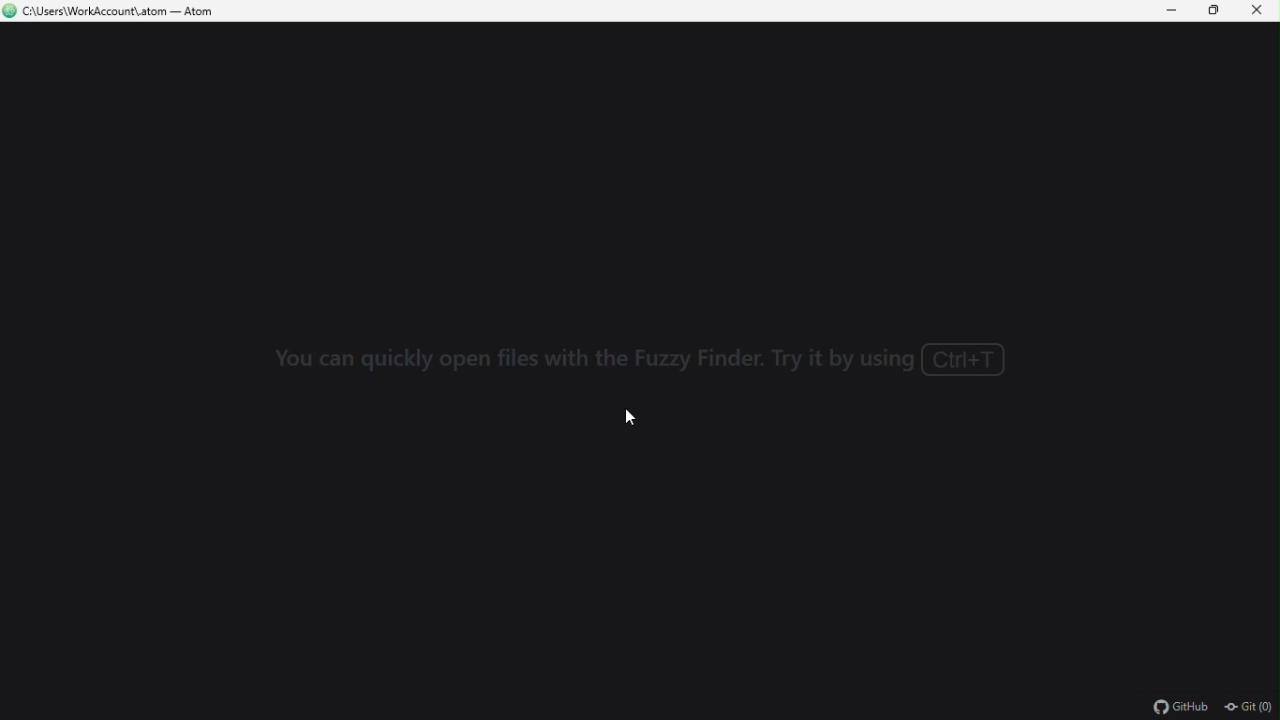  I want to click on minimize, so click(1162, 11).